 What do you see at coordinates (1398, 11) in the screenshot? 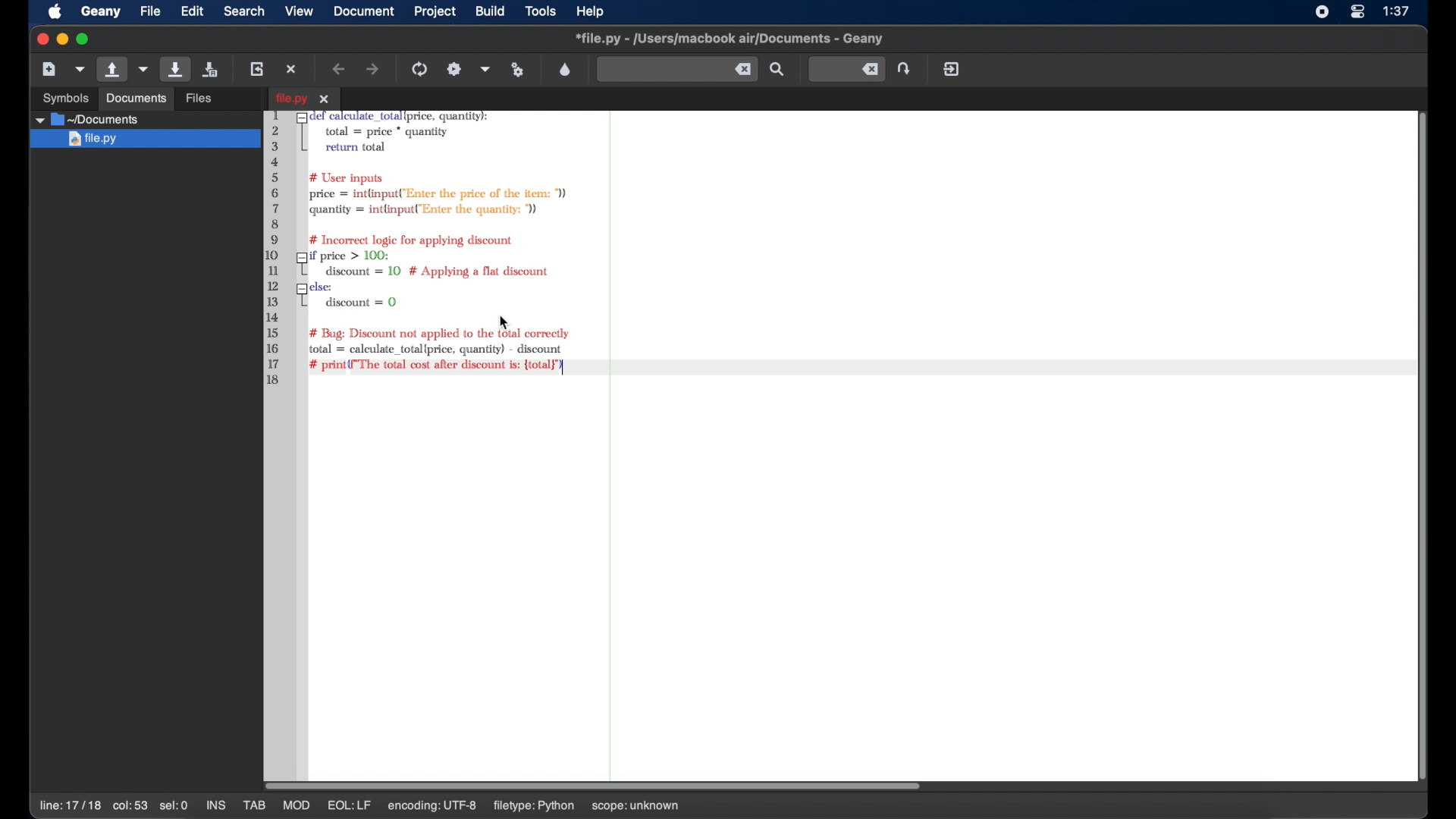
I see `time` at bounding box center [1398, 11].